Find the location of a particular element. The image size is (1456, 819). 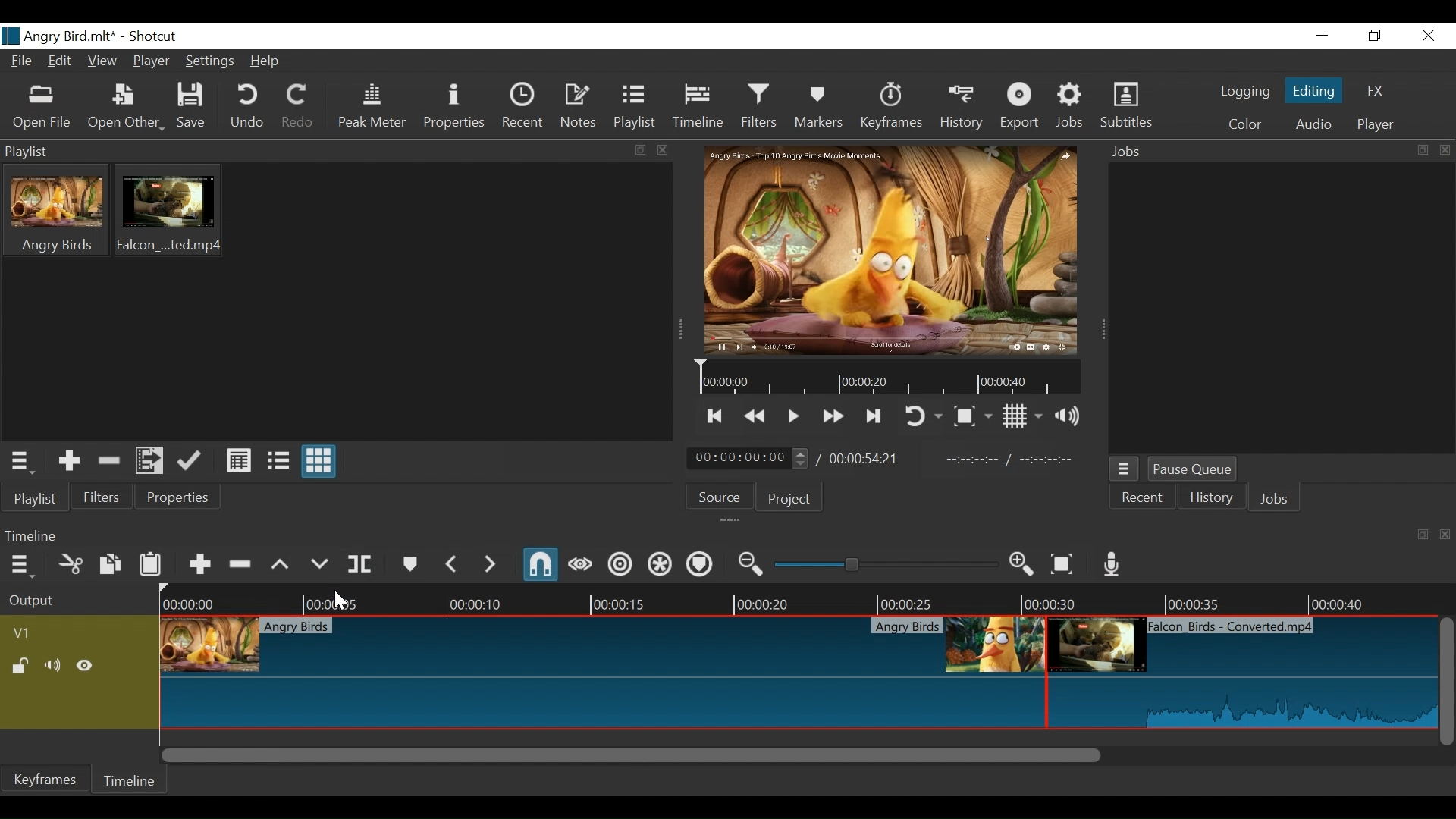

Jobs is located at coordinates (1071, 108).